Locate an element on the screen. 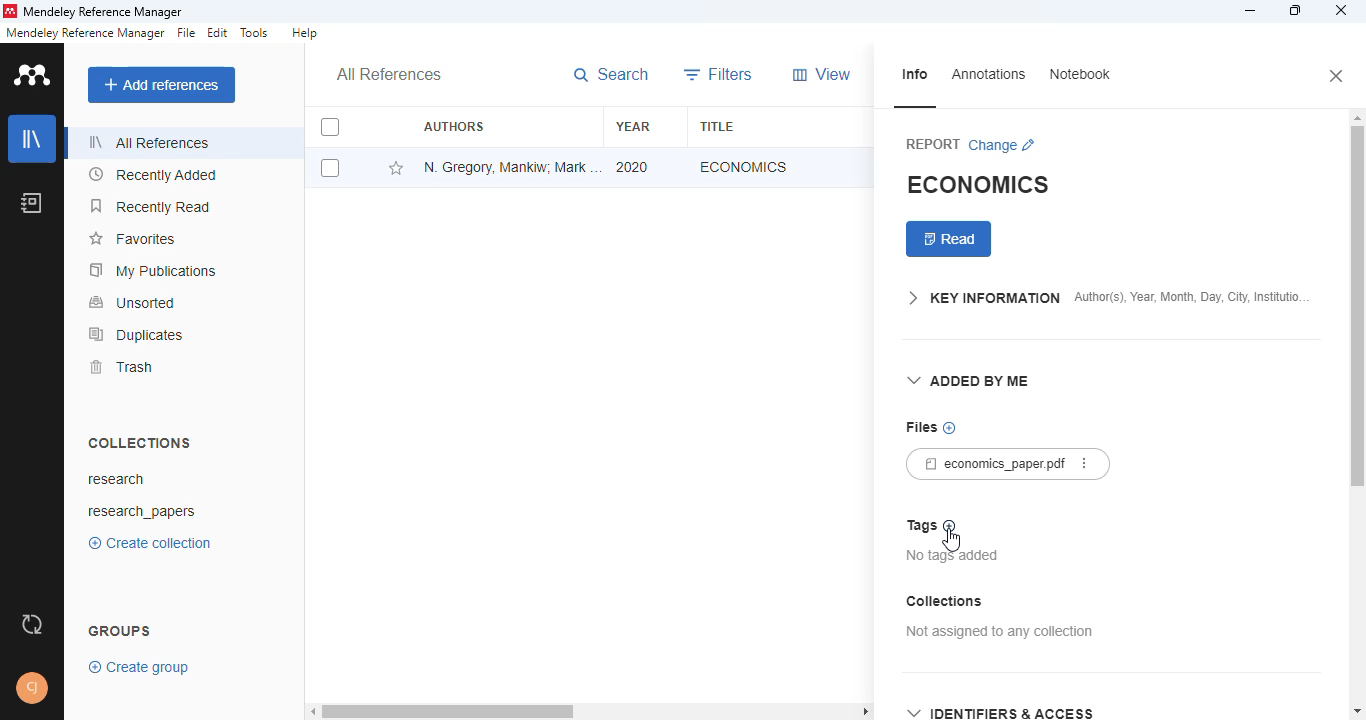 Image resolution: width=1366 pixels, height=720 pixels. collections is located at coordinates (140, 444).